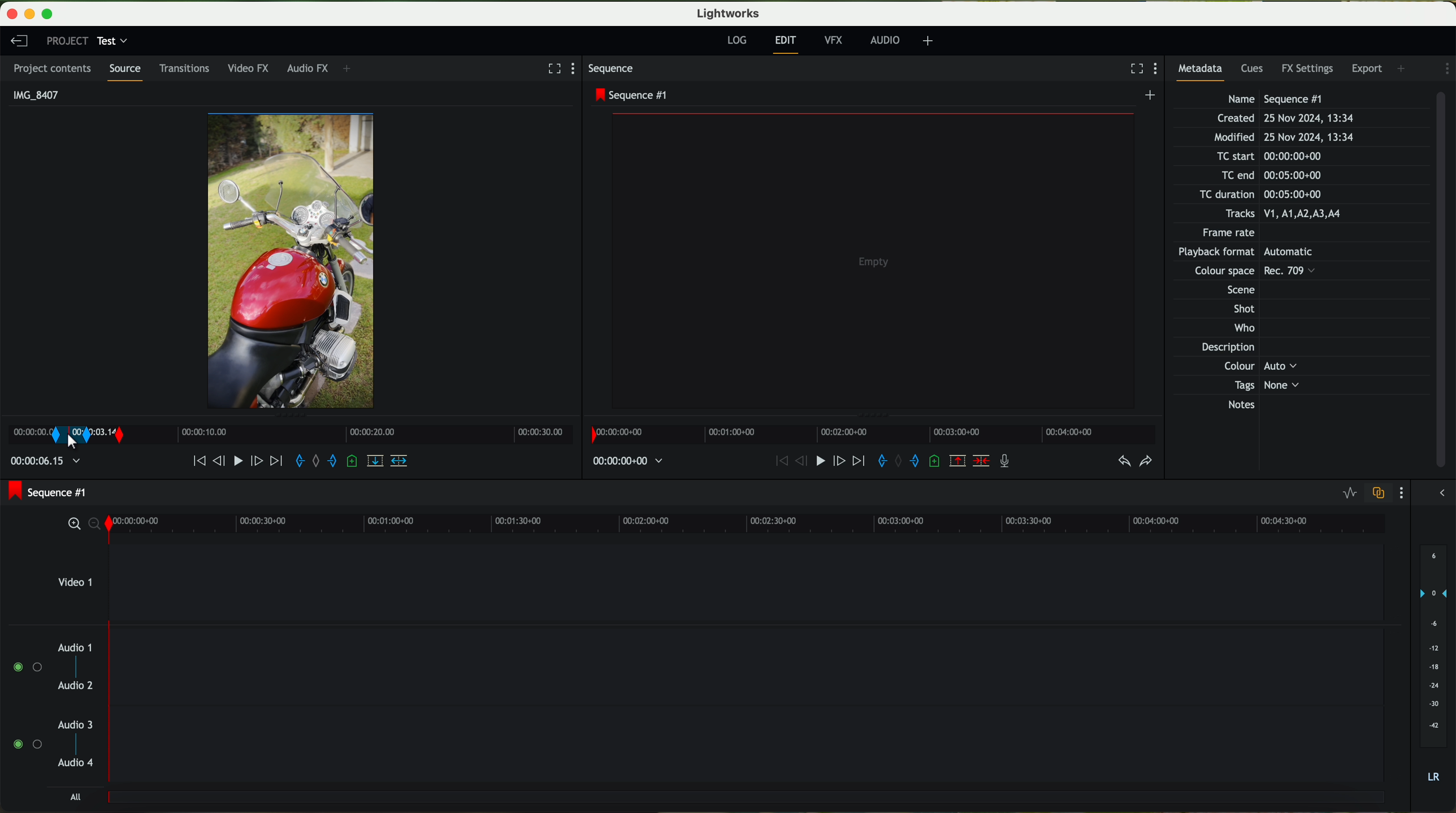 This screenshot has width=1456, height=813. Describe the element at coordinates (836, 461) in the screenshot. I see `nudge one frame foward` at that location.